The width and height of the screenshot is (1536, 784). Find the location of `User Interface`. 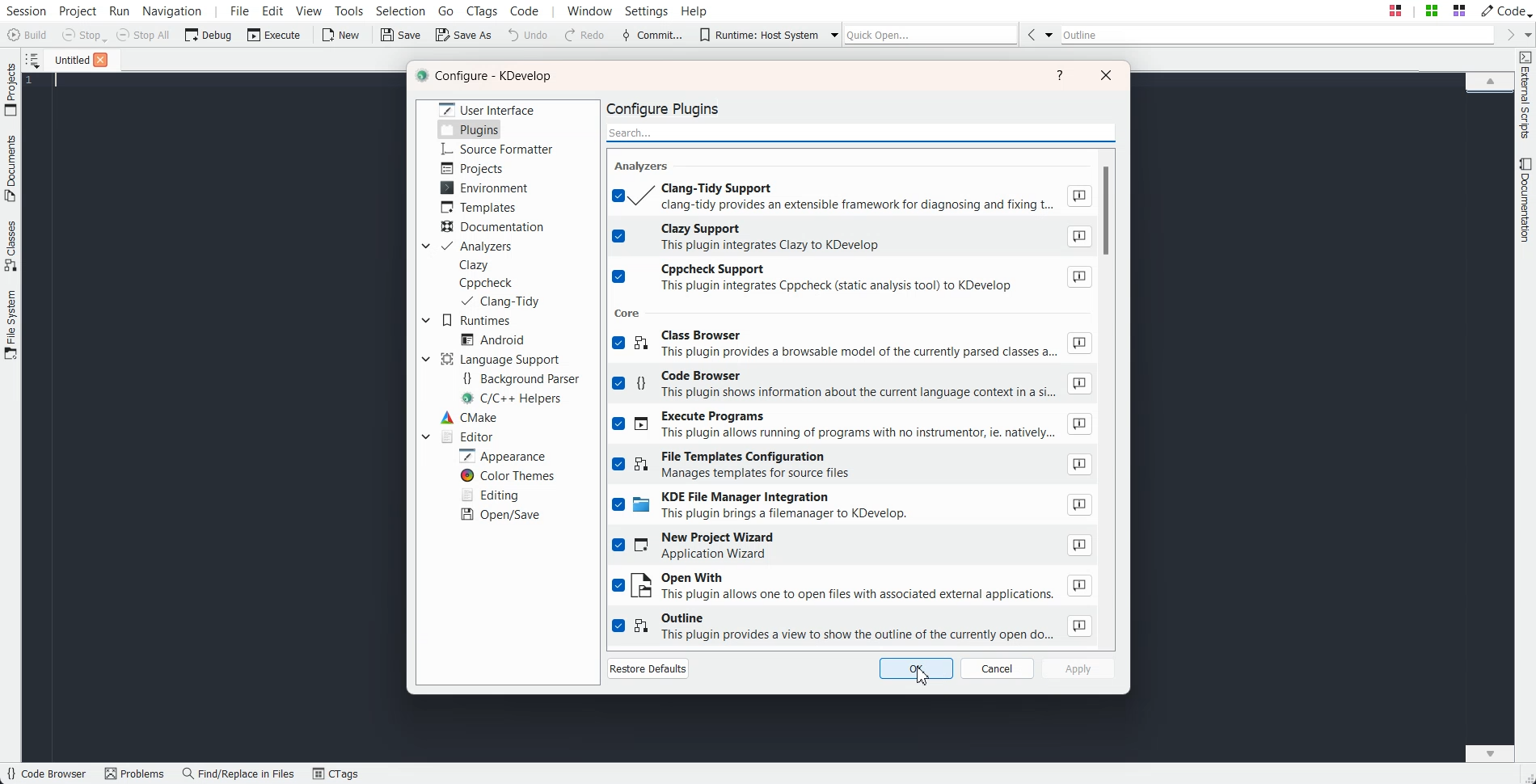

User Interface is located at coordinates (487, 108).